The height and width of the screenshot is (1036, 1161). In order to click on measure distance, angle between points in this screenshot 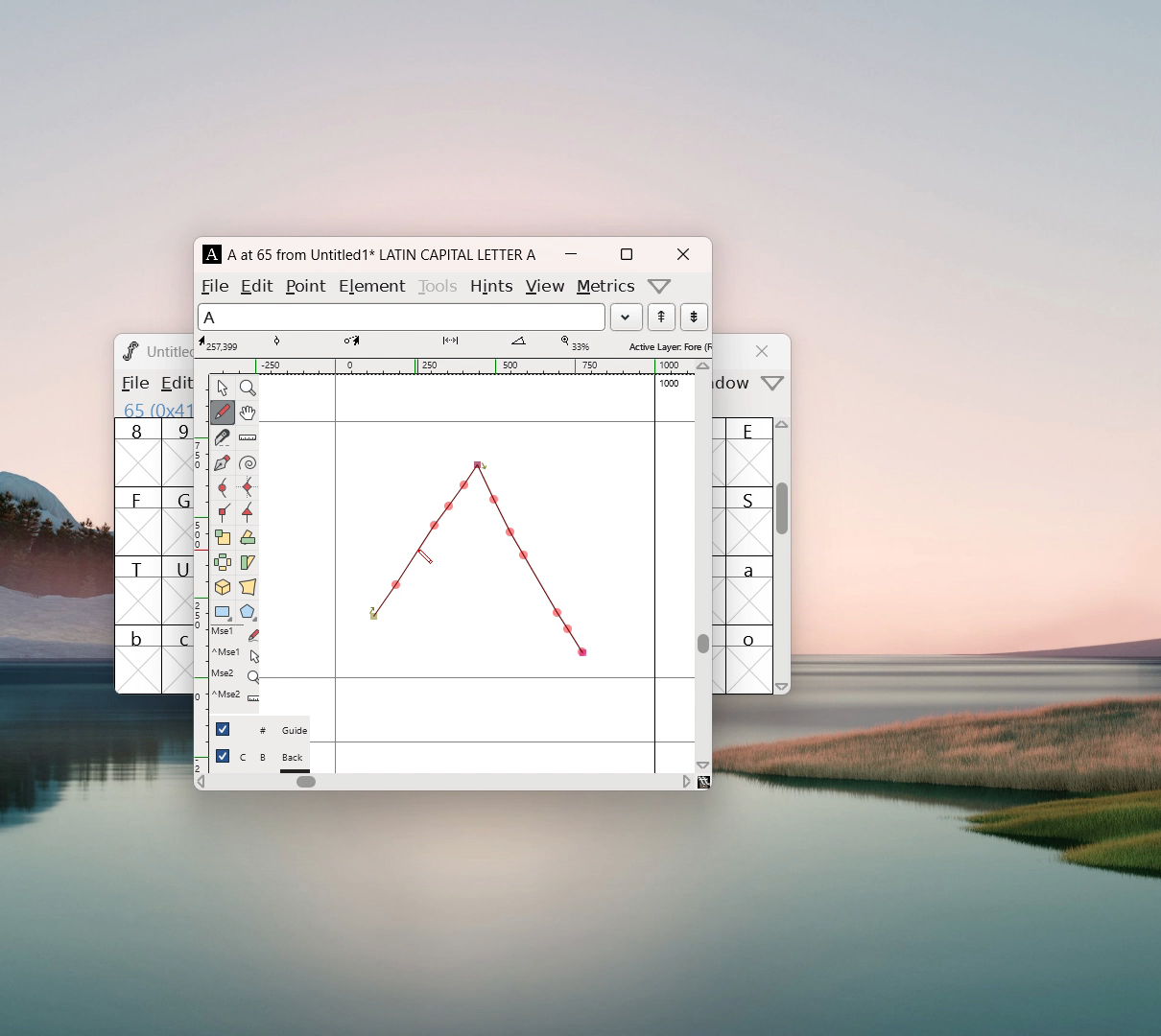, I will do `click(248, 438)`.